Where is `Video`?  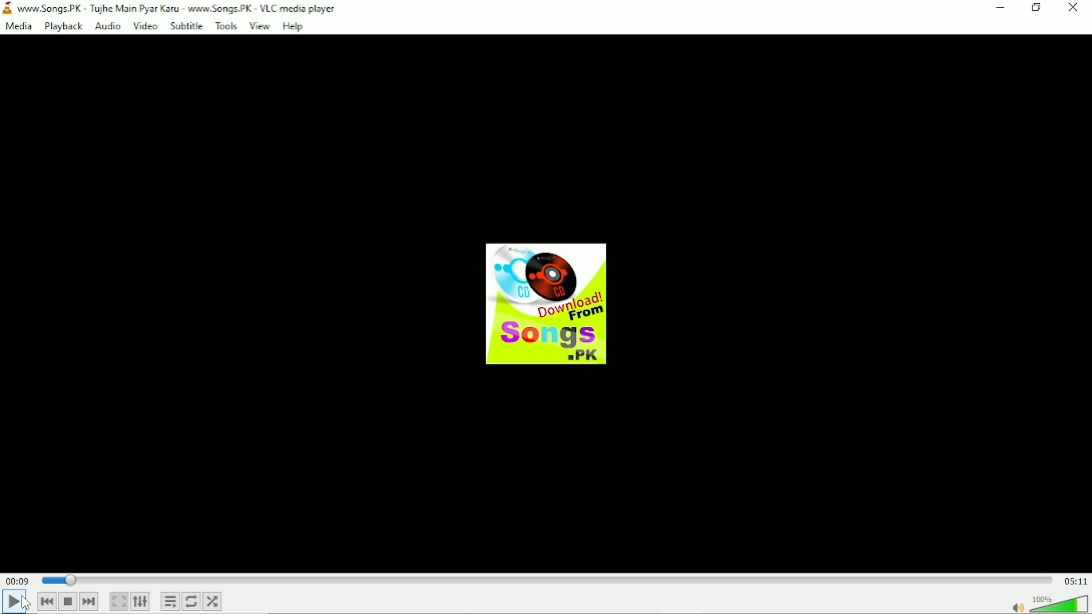 Video is located at coordinates (143, 25).